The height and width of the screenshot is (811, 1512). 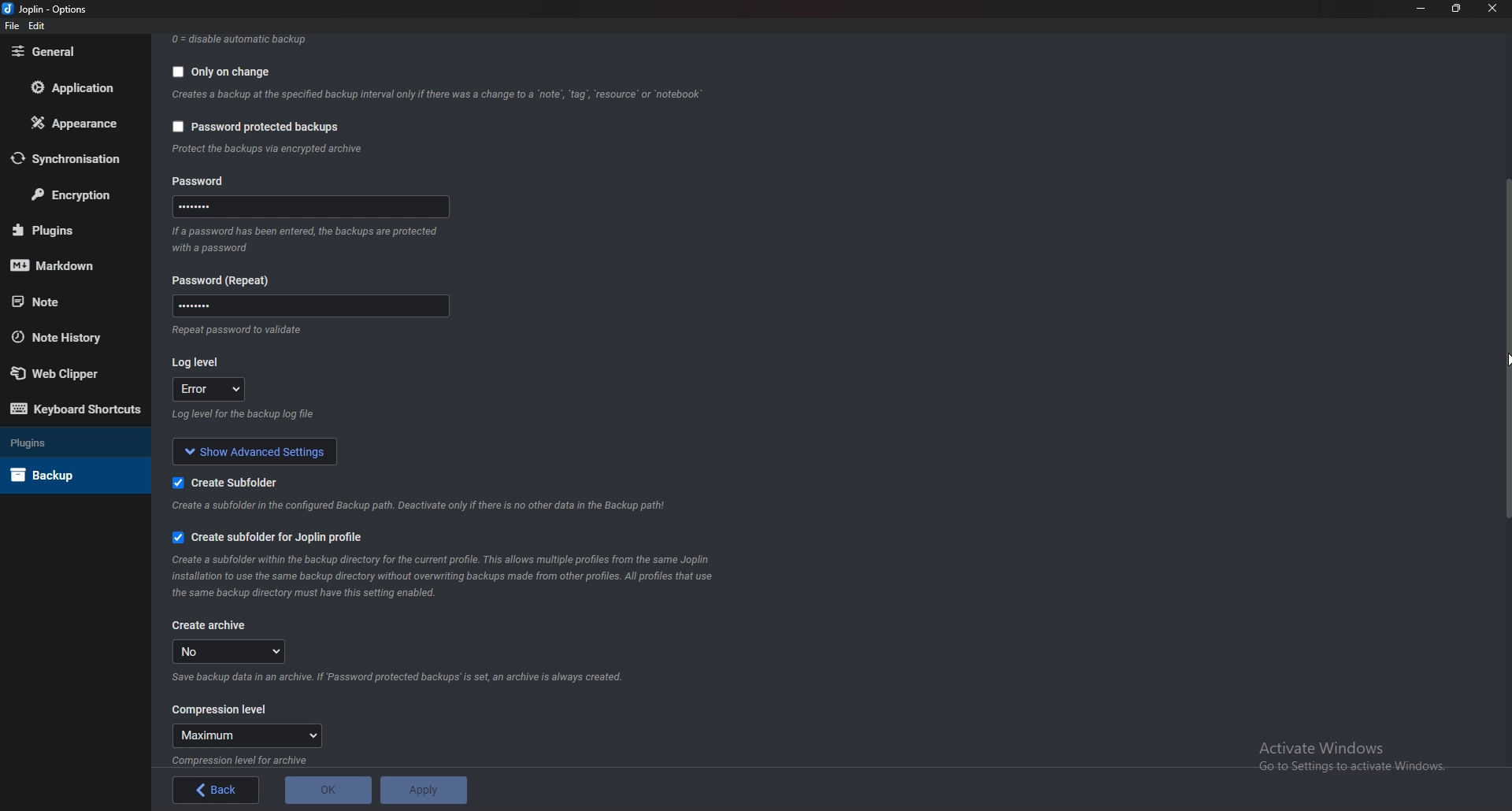 What do you see at coordinates (226, 70) in the screenshot?
I see `Only on change` at bounding box center [226, 70].